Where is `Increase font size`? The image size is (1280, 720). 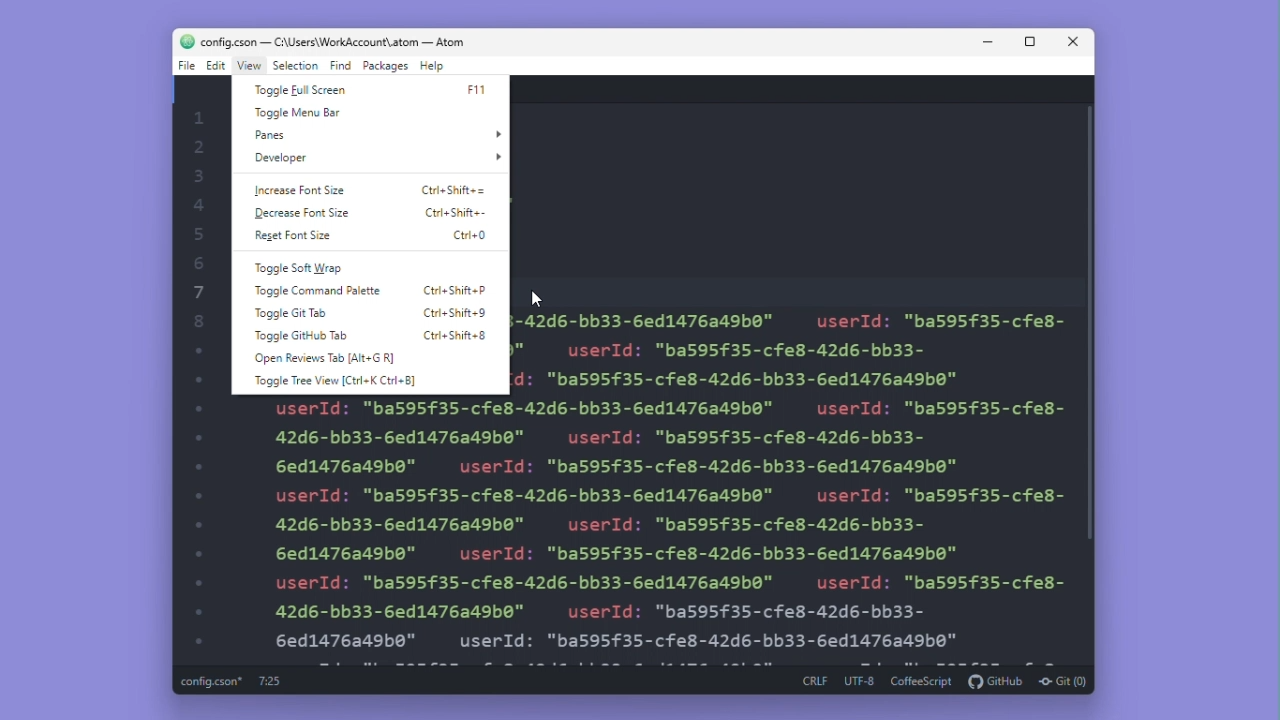
Increase font size is located at coordinates (298, 191).